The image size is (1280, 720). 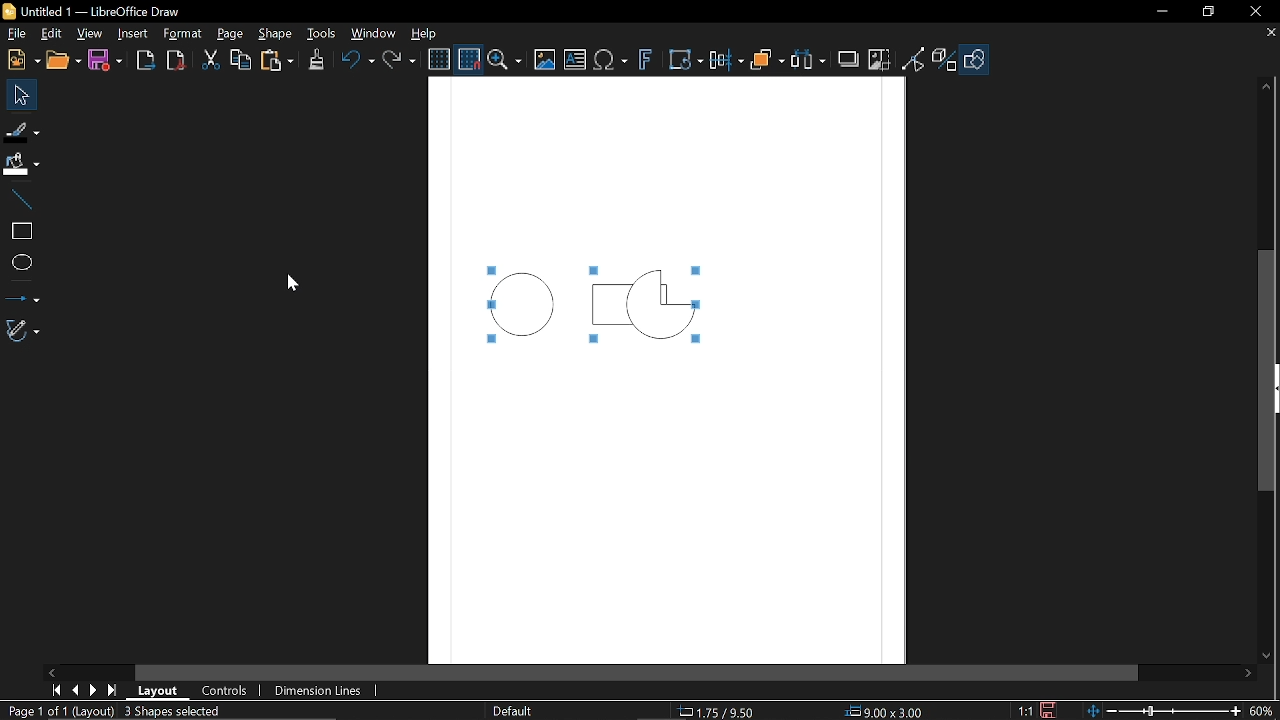 I want to click on B Untitled 1 — LibreOffice Draw, so click(x=110, y=11).